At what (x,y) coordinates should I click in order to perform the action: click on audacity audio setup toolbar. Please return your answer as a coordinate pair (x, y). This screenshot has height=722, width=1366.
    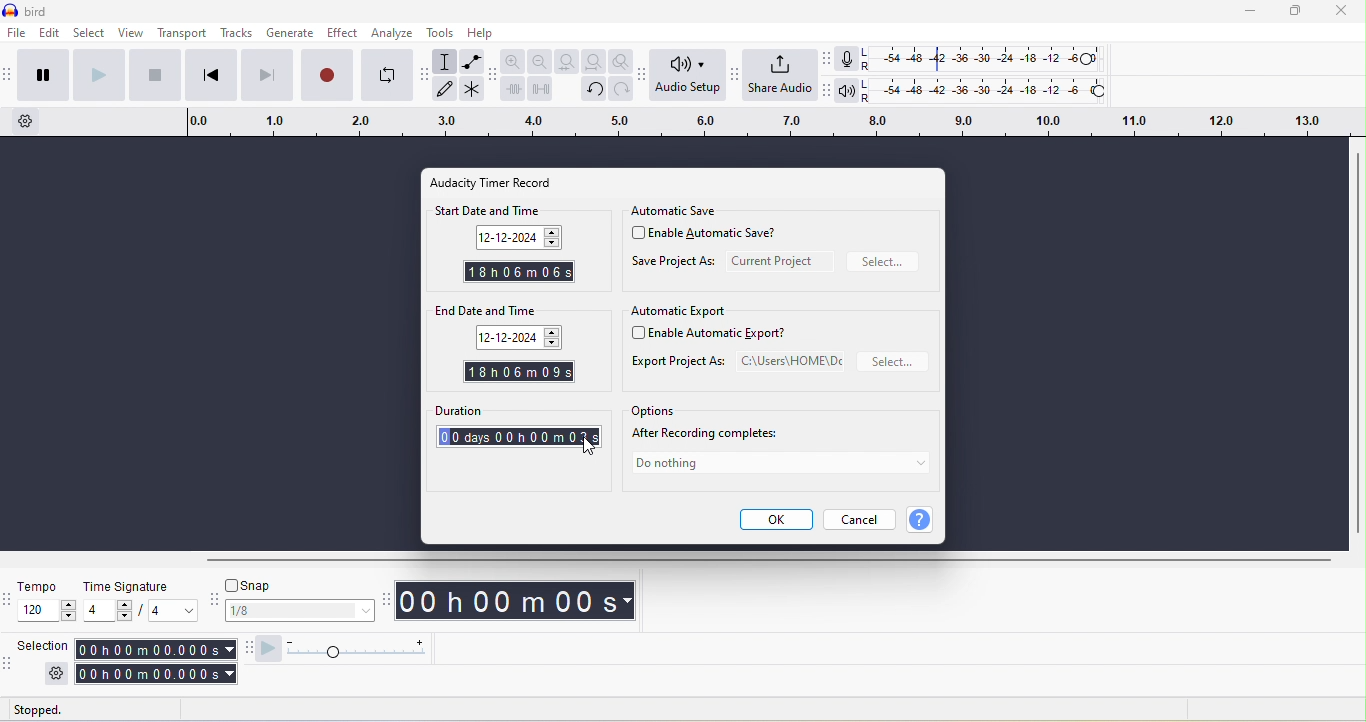
    Looking at the image, I should click on (644, 75).